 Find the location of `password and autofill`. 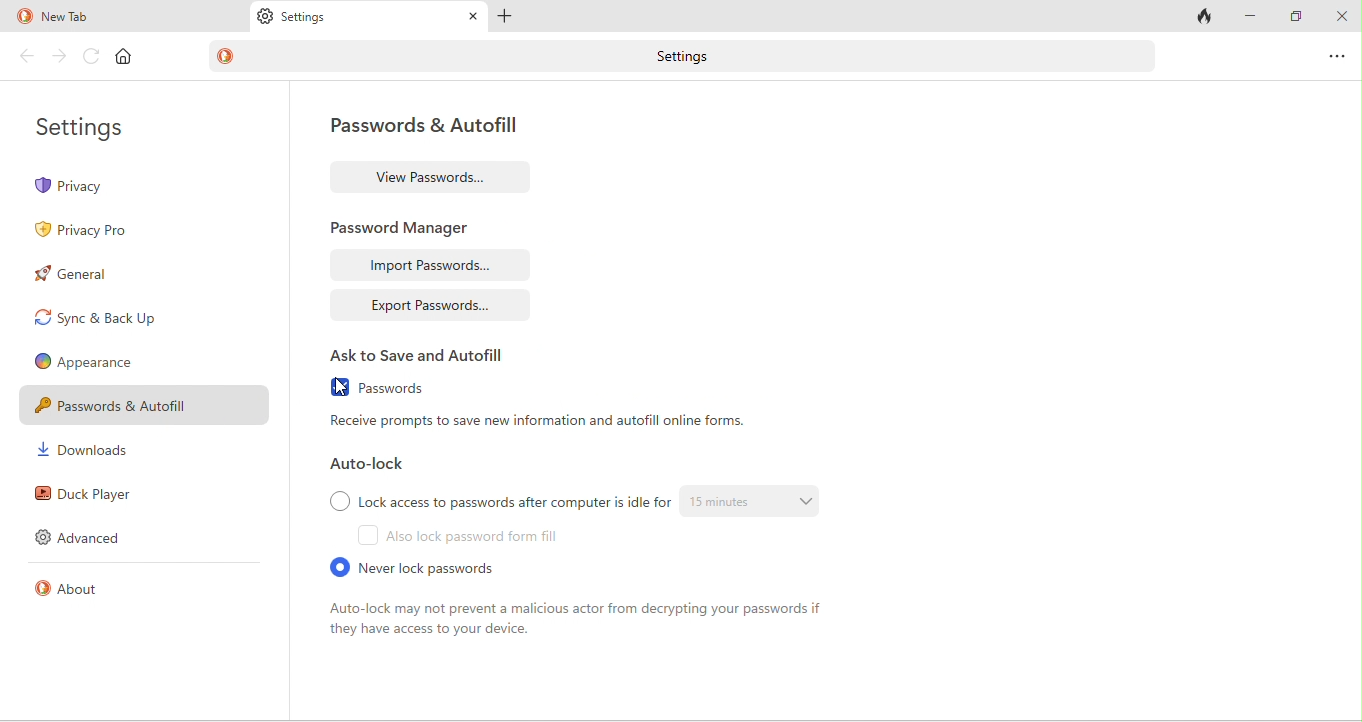

password and autofill is located at coordinates (418, 128).